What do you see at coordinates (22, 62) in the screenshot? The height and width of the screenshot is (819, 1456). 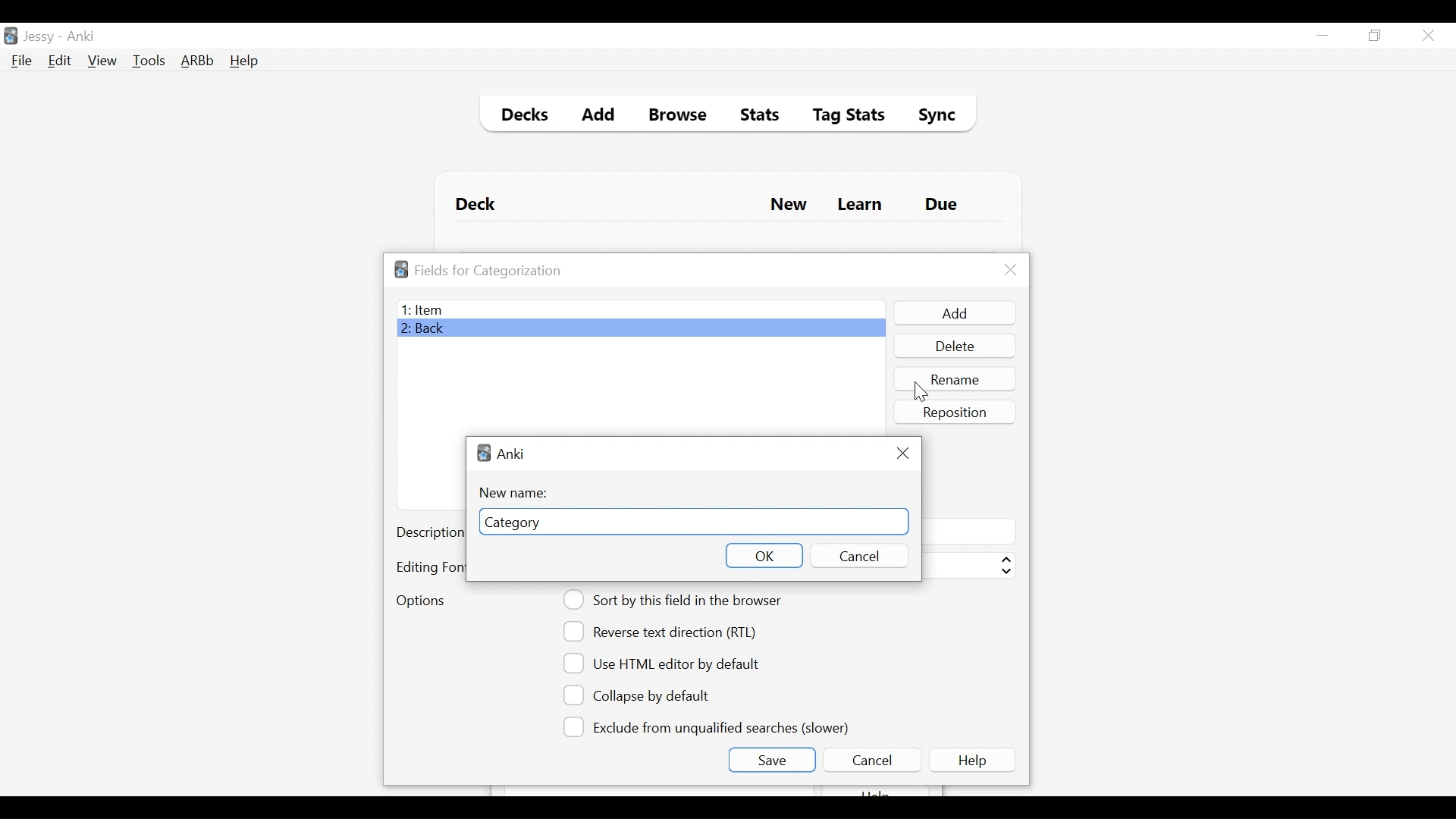 I see `File` at bounding box center [22, 62].